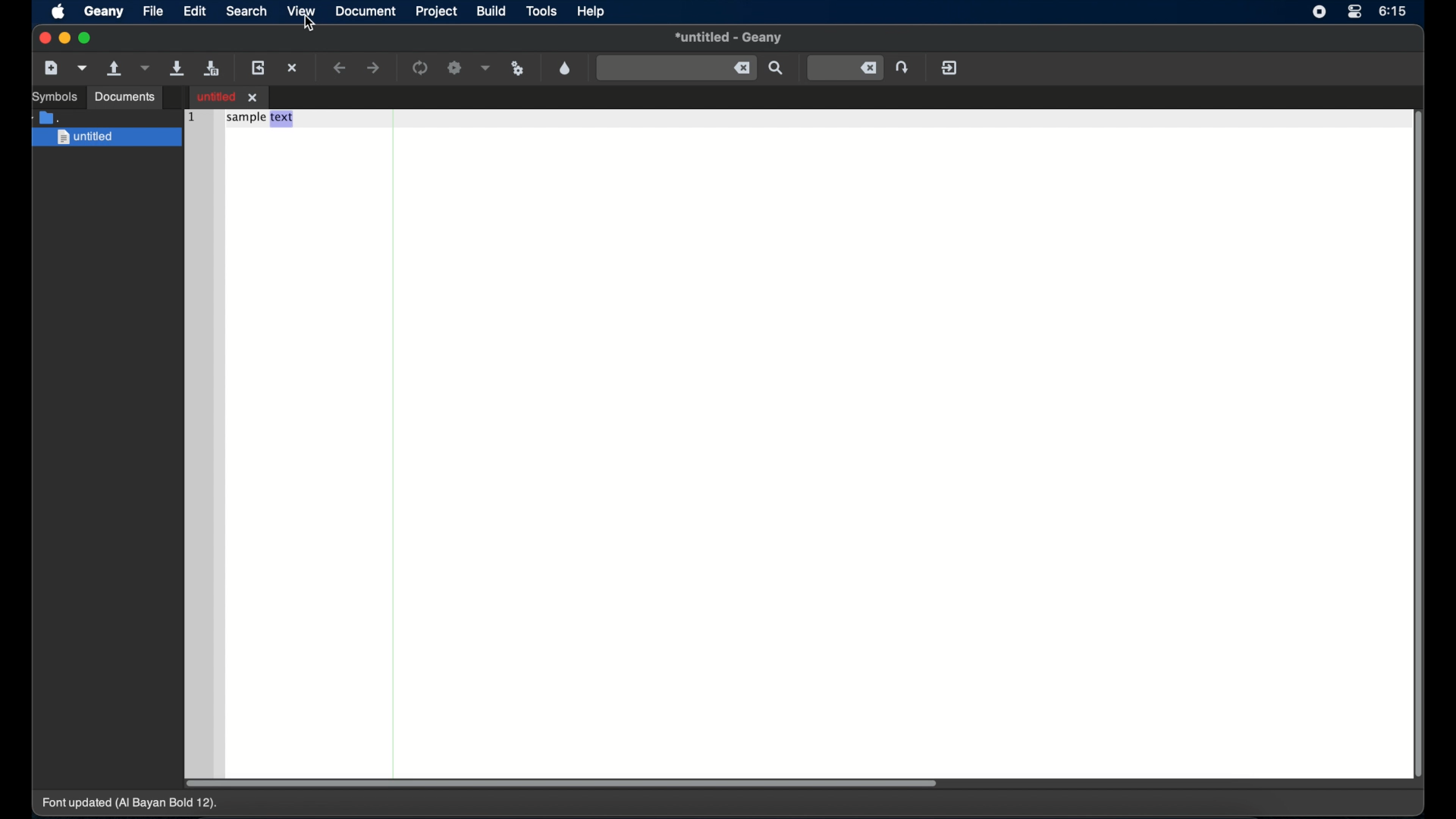 The width and height of the screenshot is (1456, 819). I want to click on document, so click(366, 11).